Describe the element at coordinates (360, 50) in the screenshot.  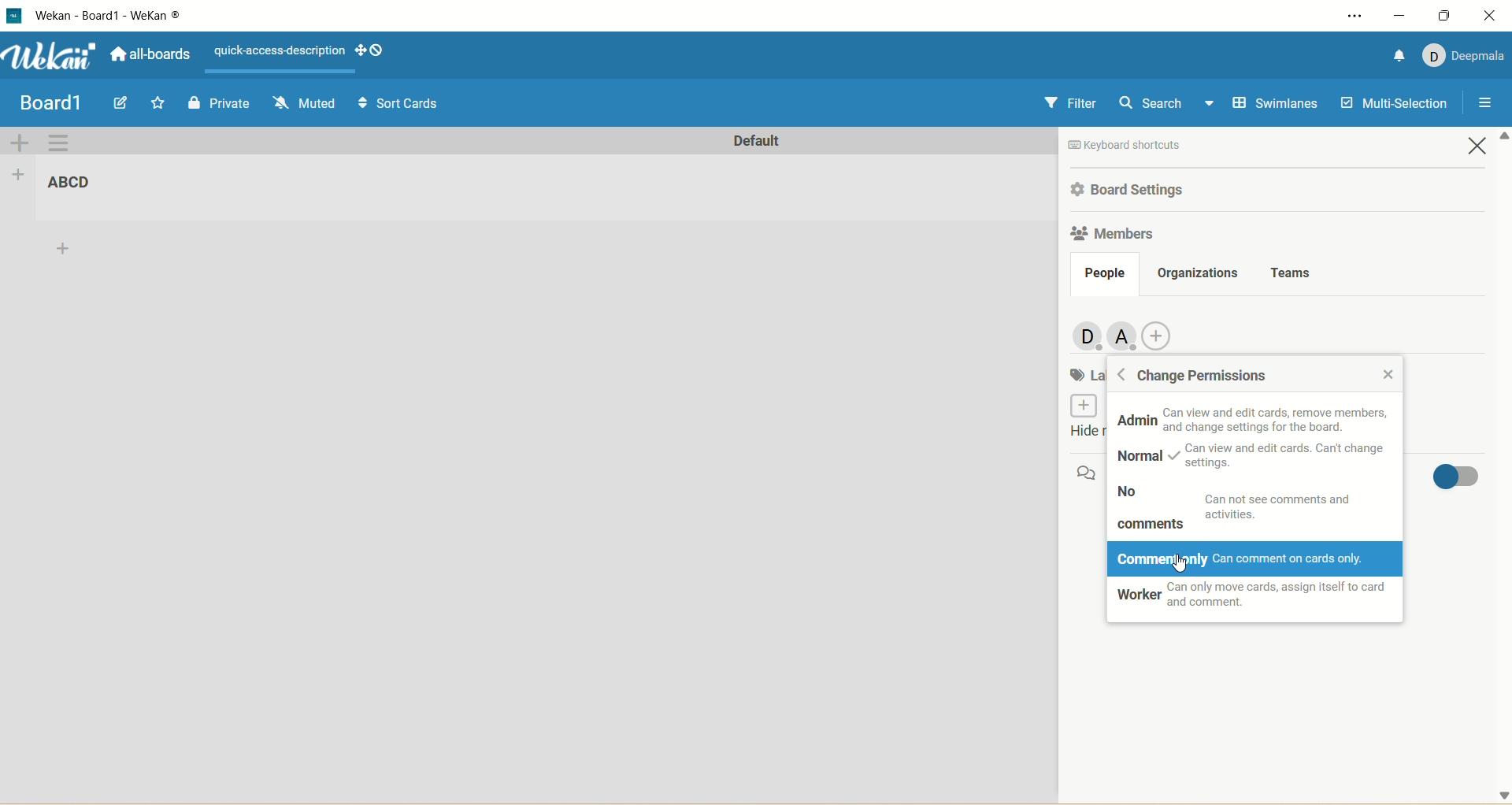
I see `show-desktop-drag-handles` at that location.